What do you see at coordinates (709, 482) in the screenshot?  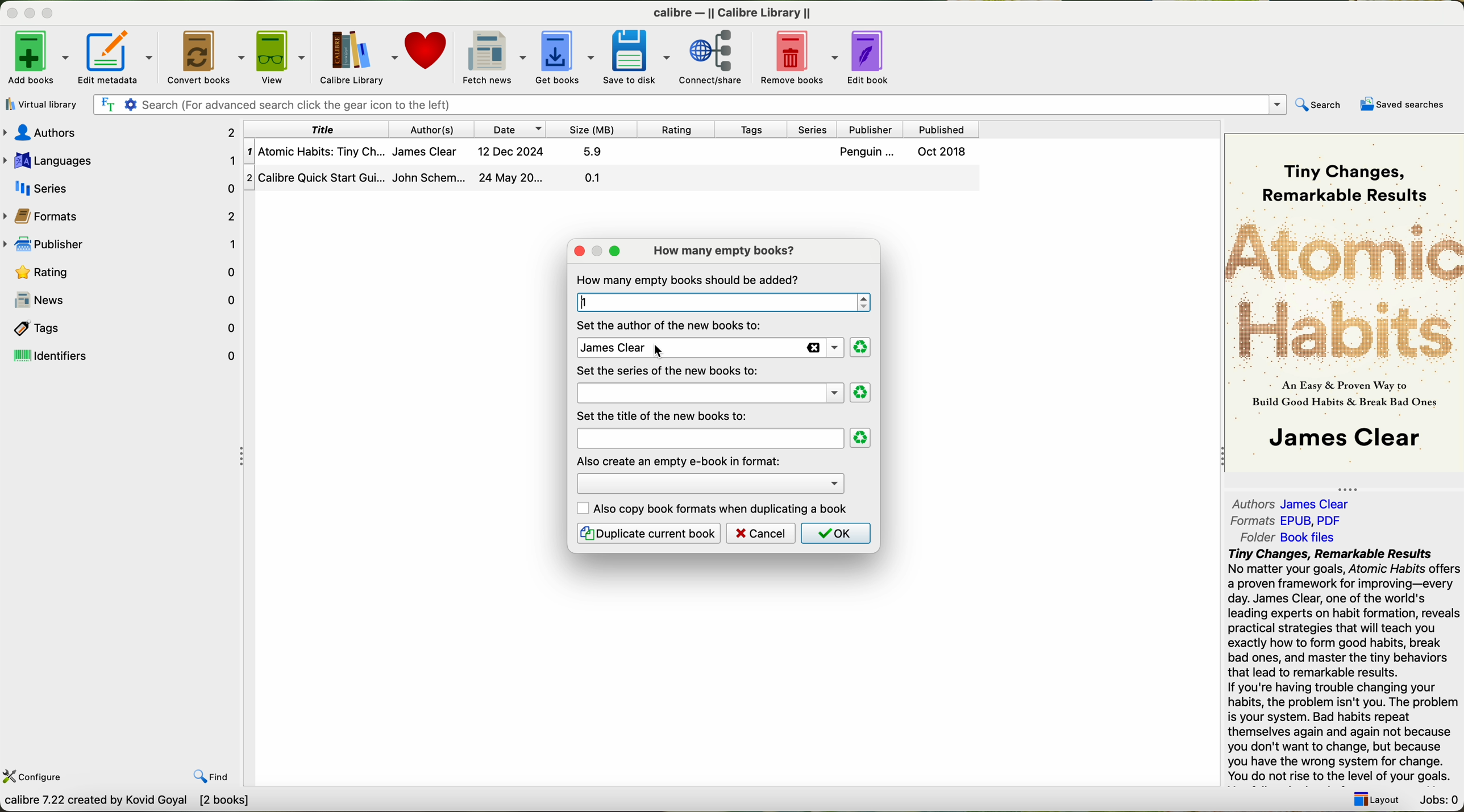 I see `options` at bounding box center [709, 482].